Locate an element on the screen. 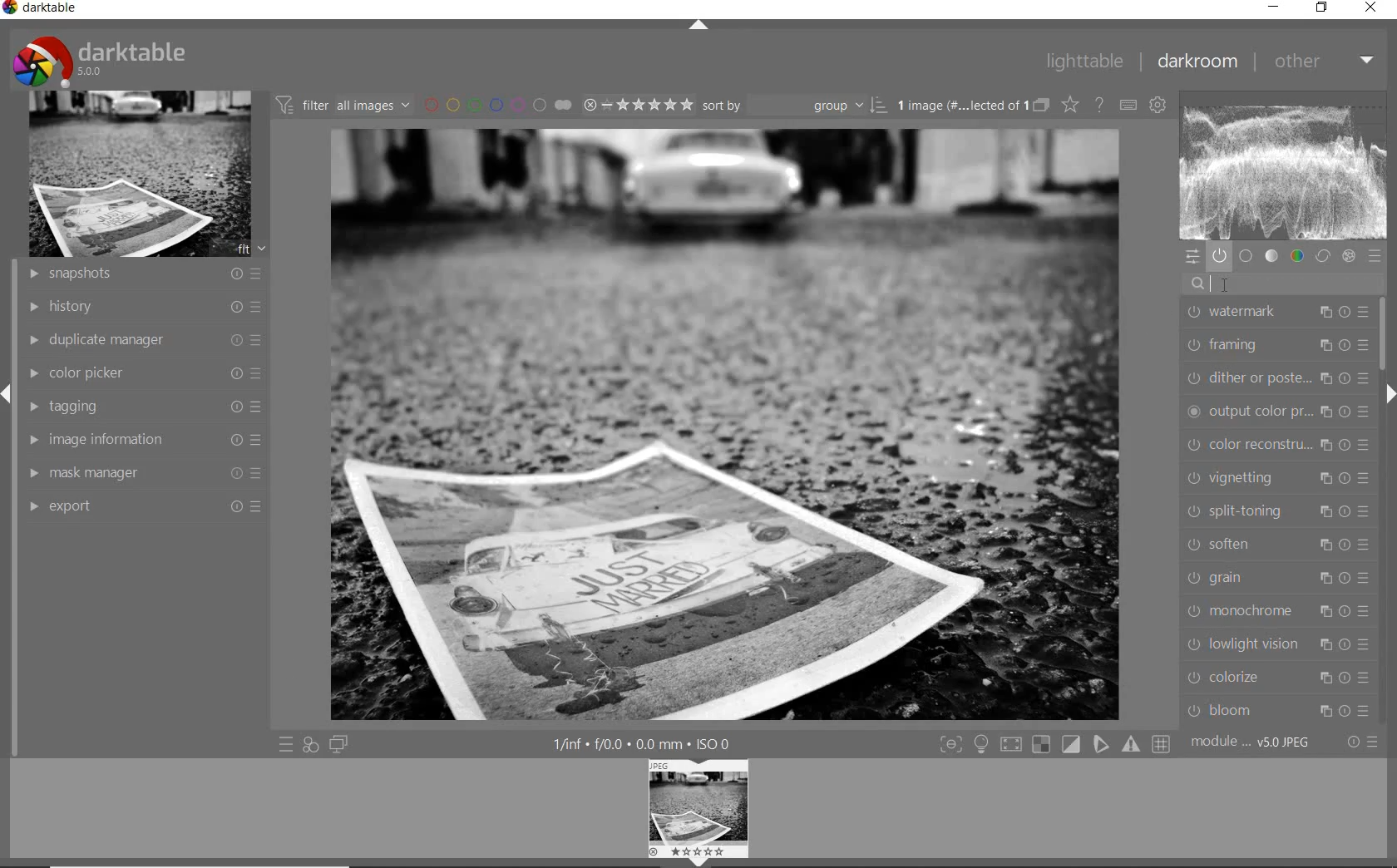  lowlight vision is located at coordinates (1276, 644).